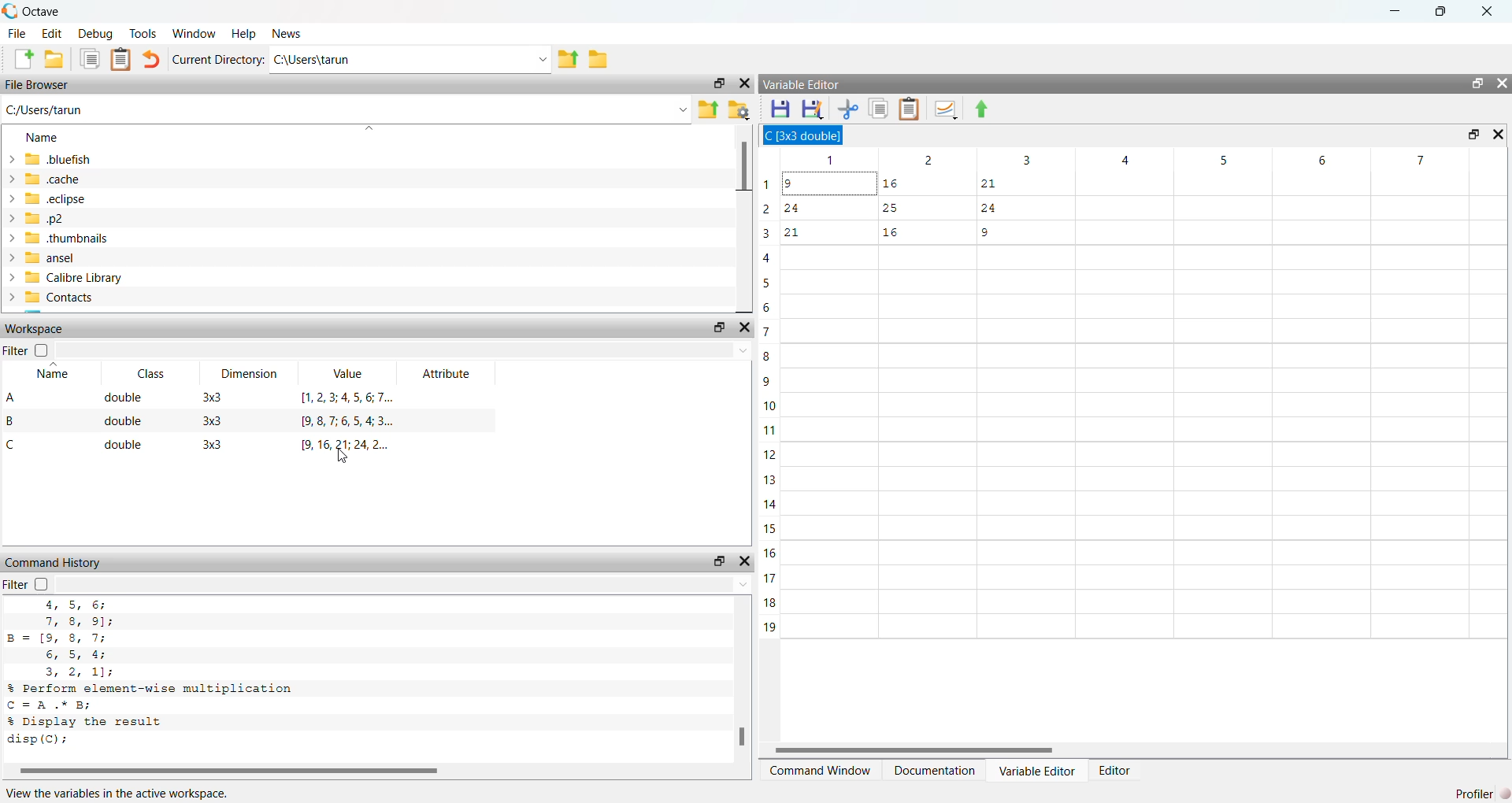 The width and height of the screenshot is (1512, 803). Describe the element at coordinates (43, 137) in the screenshot. I see `Name` at that location.